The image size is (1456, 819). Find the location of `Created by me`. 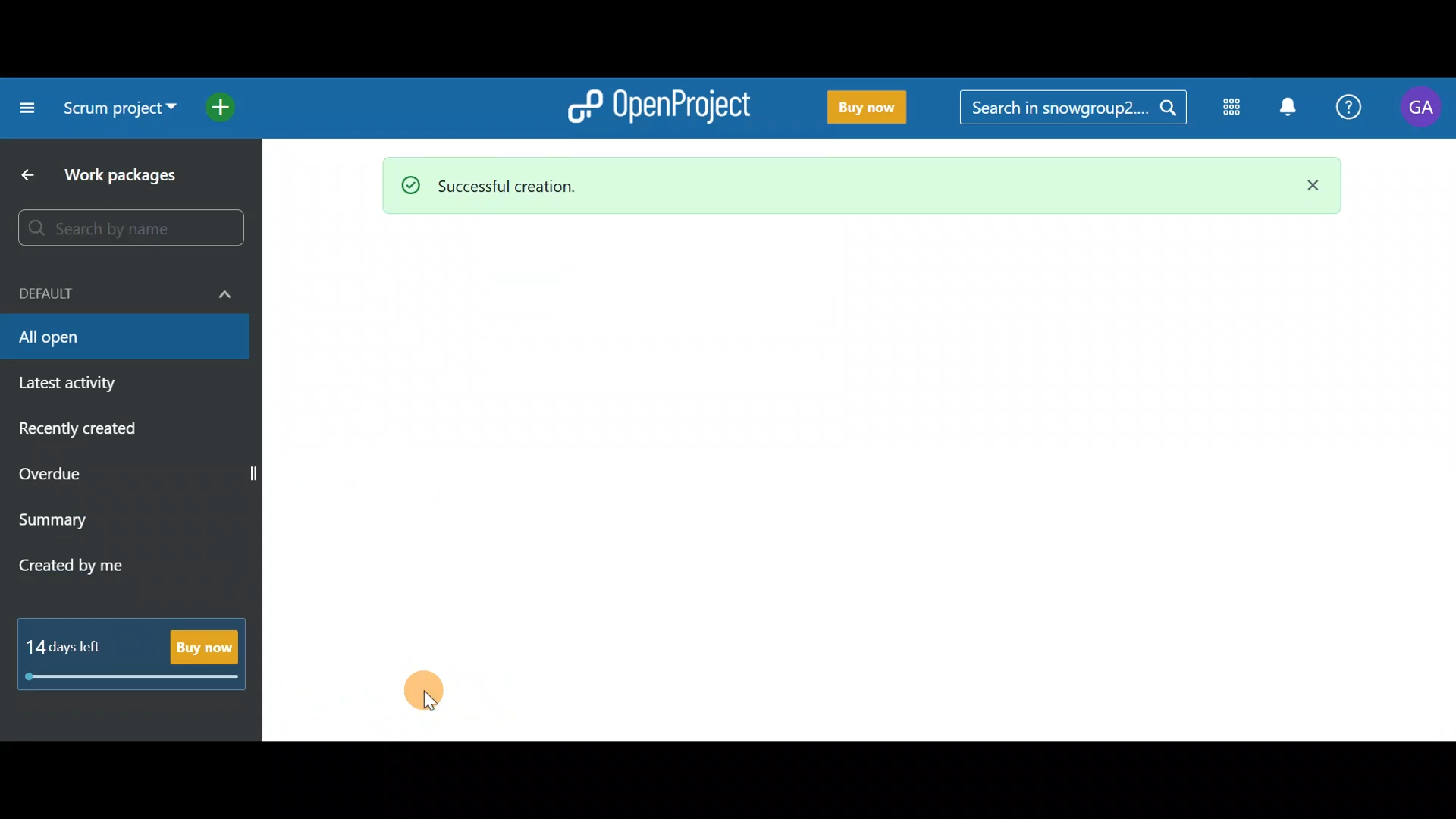

Created by me is located at coordinates (106, 561).